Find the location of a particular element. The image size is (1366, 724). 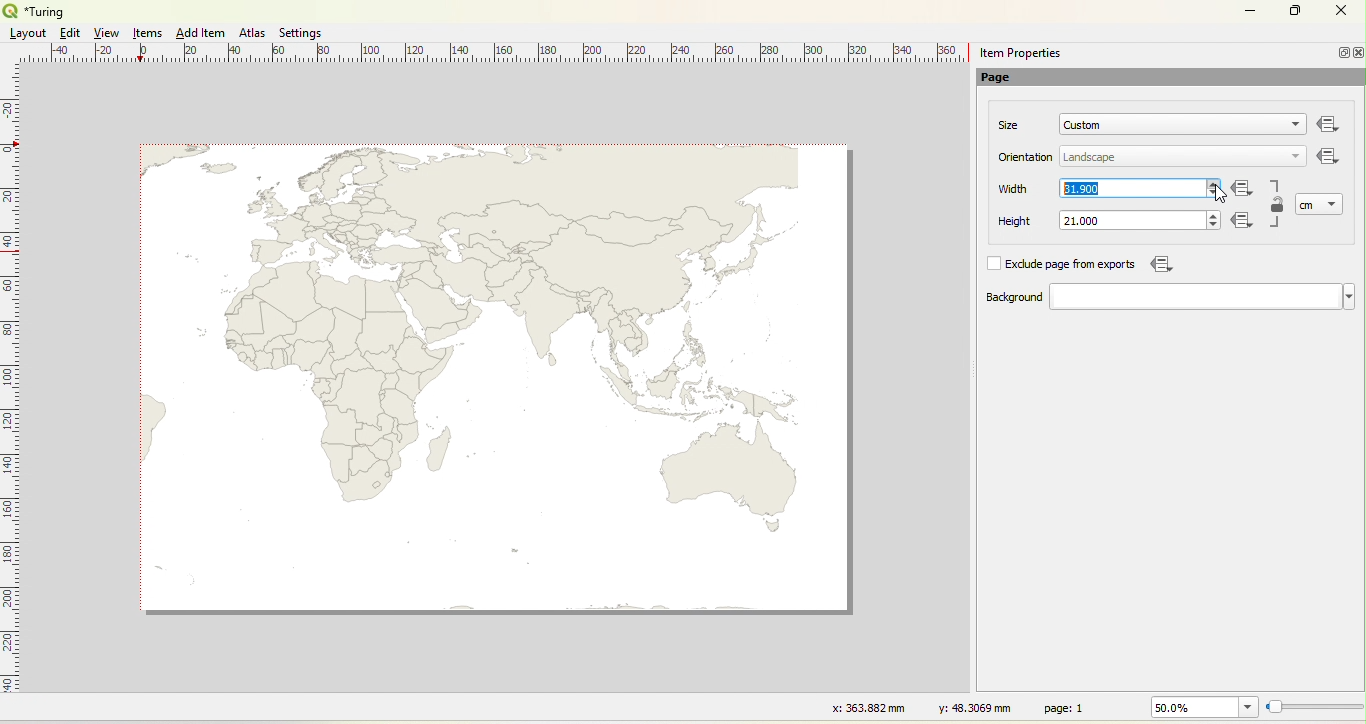

Atlas is located at coordinates (252, 32).